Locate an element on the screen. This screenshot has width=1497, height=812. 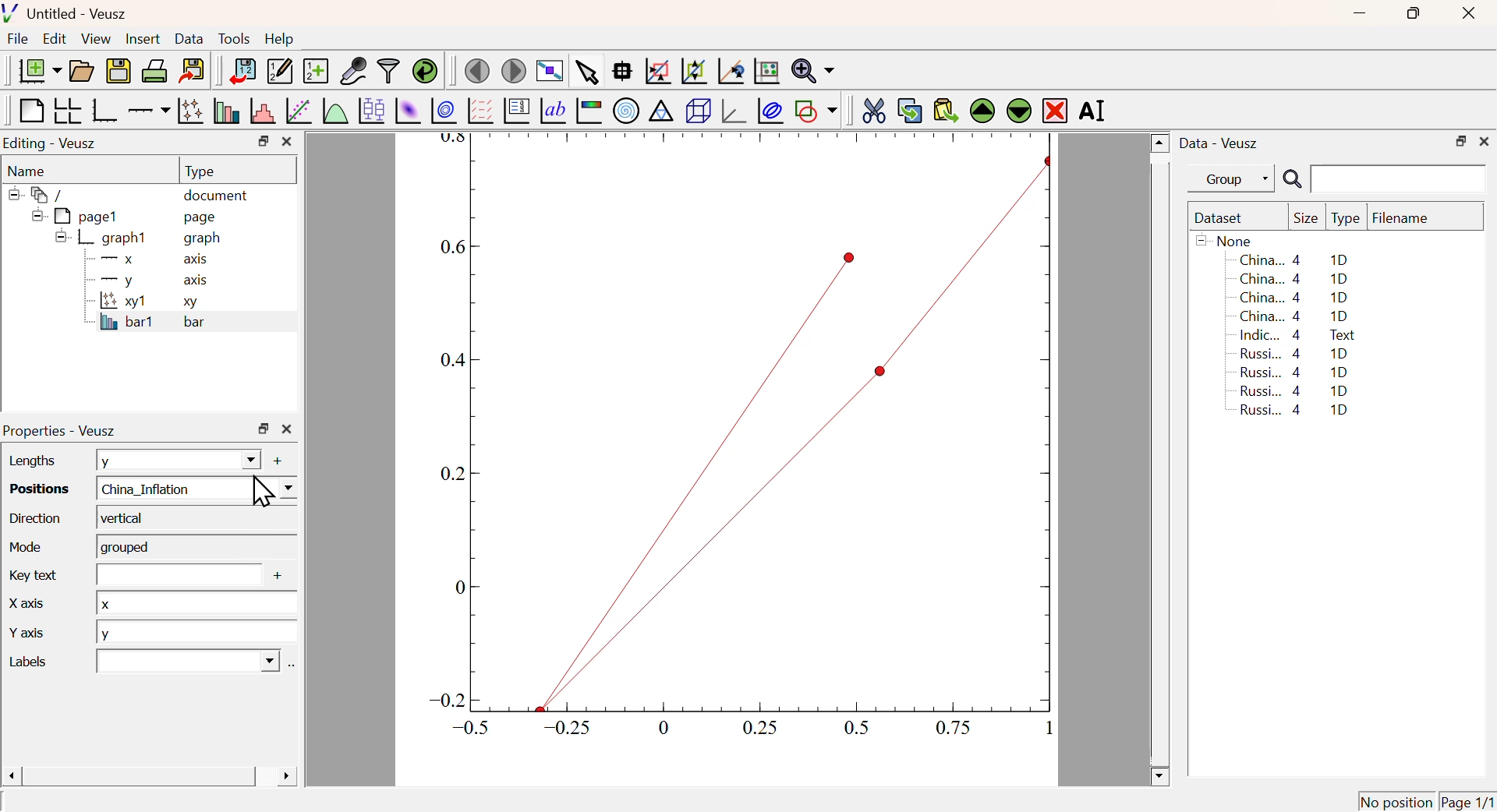
Print Document is located at coordinates (154, 70).